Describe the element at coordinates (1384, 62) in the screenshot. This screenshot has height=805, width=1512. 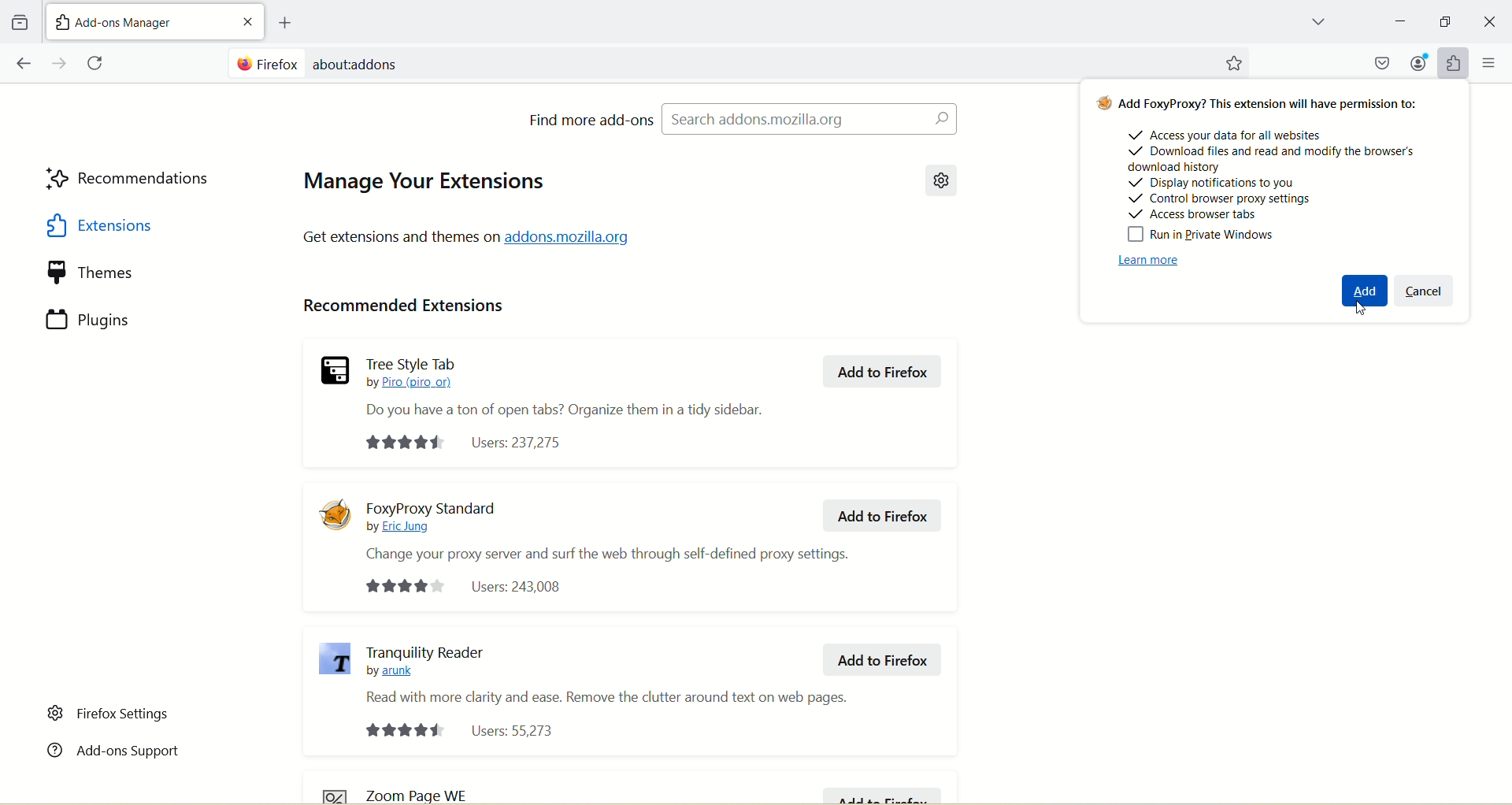
I see `Macsafe` at that location.